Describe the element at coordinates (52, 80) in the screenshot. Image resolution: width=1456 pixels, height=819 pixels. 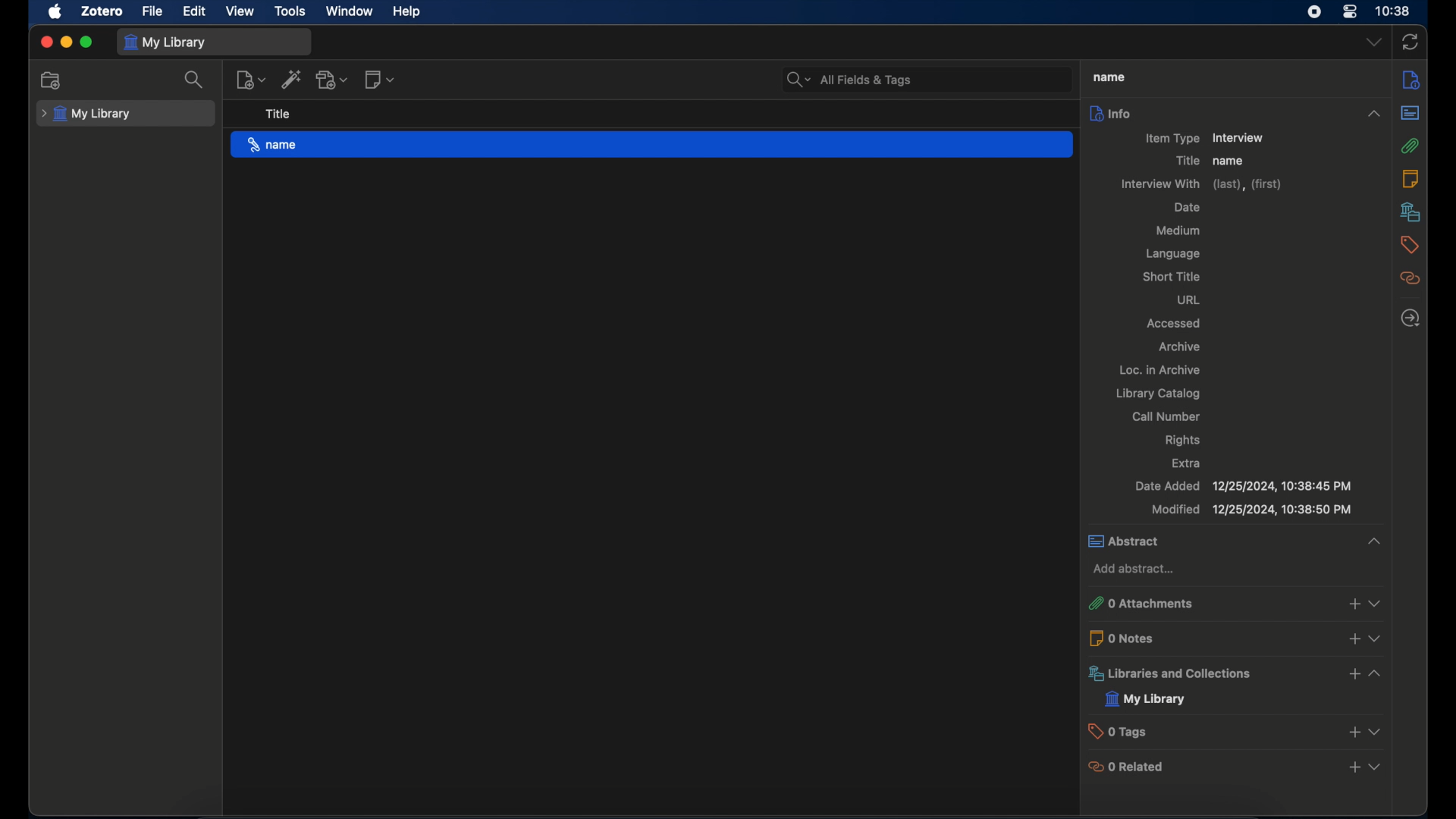
I see `new collection` at that location.